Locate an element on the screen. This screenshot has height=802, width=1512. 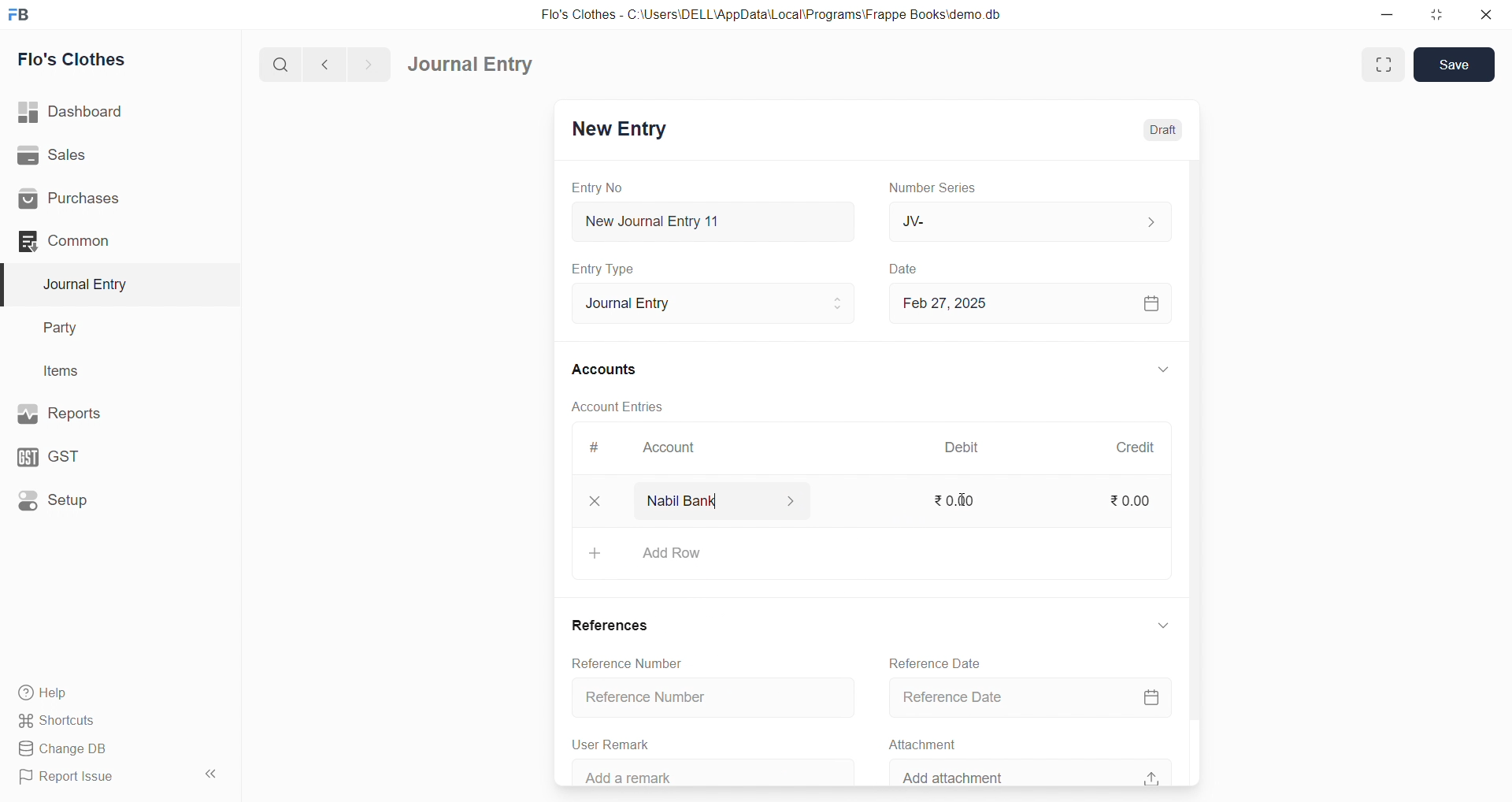
Feb 27, 2025 is located at coordinates (1028, 303).